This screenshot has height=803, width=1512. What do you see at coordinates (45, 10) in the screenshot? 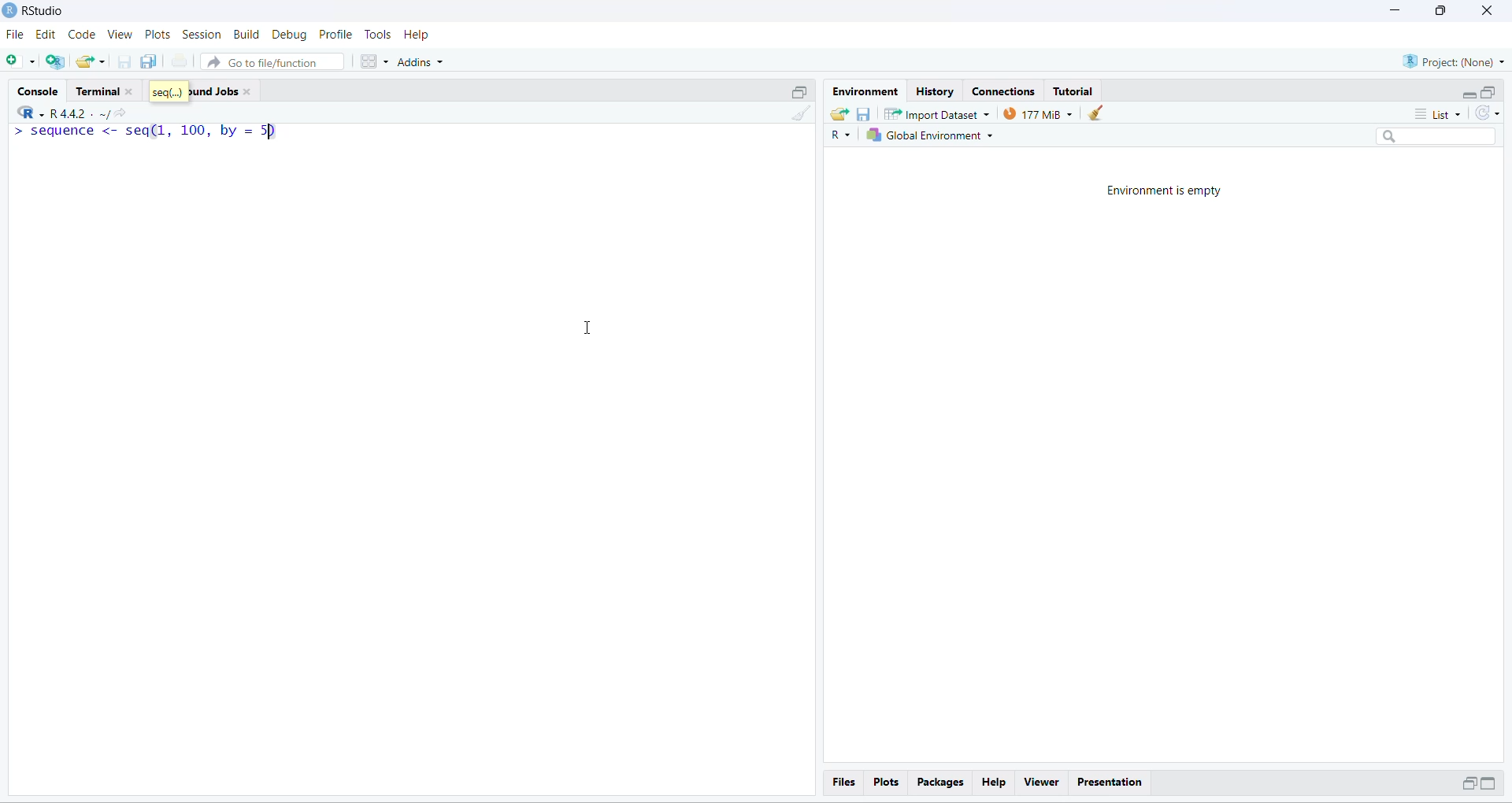
I see `RStudio` at bounding box center [45, 10].